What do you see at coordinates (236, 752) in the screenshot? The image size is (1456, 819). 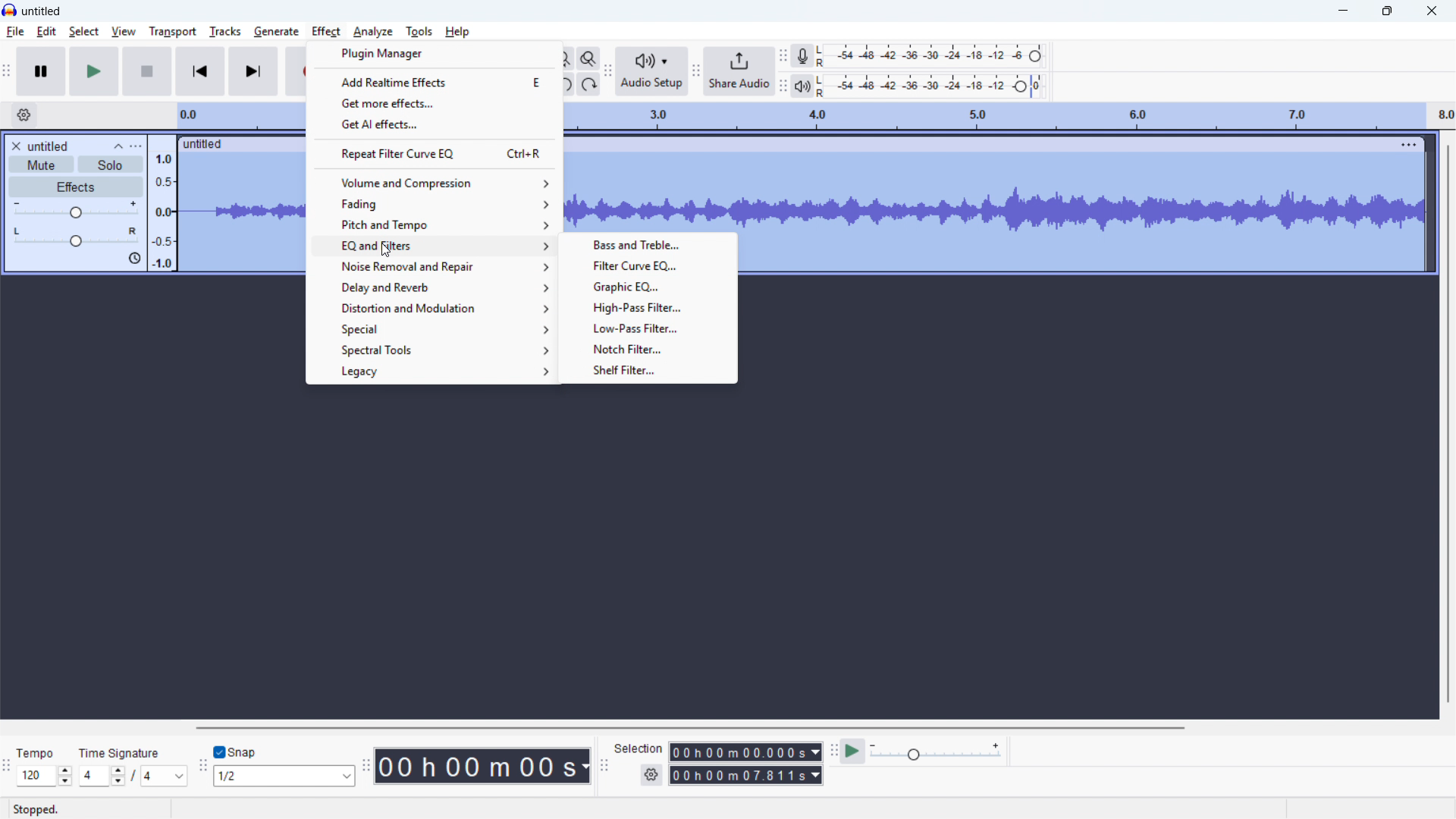 I see `Toggle snap ` at bounding box center [236, 752].